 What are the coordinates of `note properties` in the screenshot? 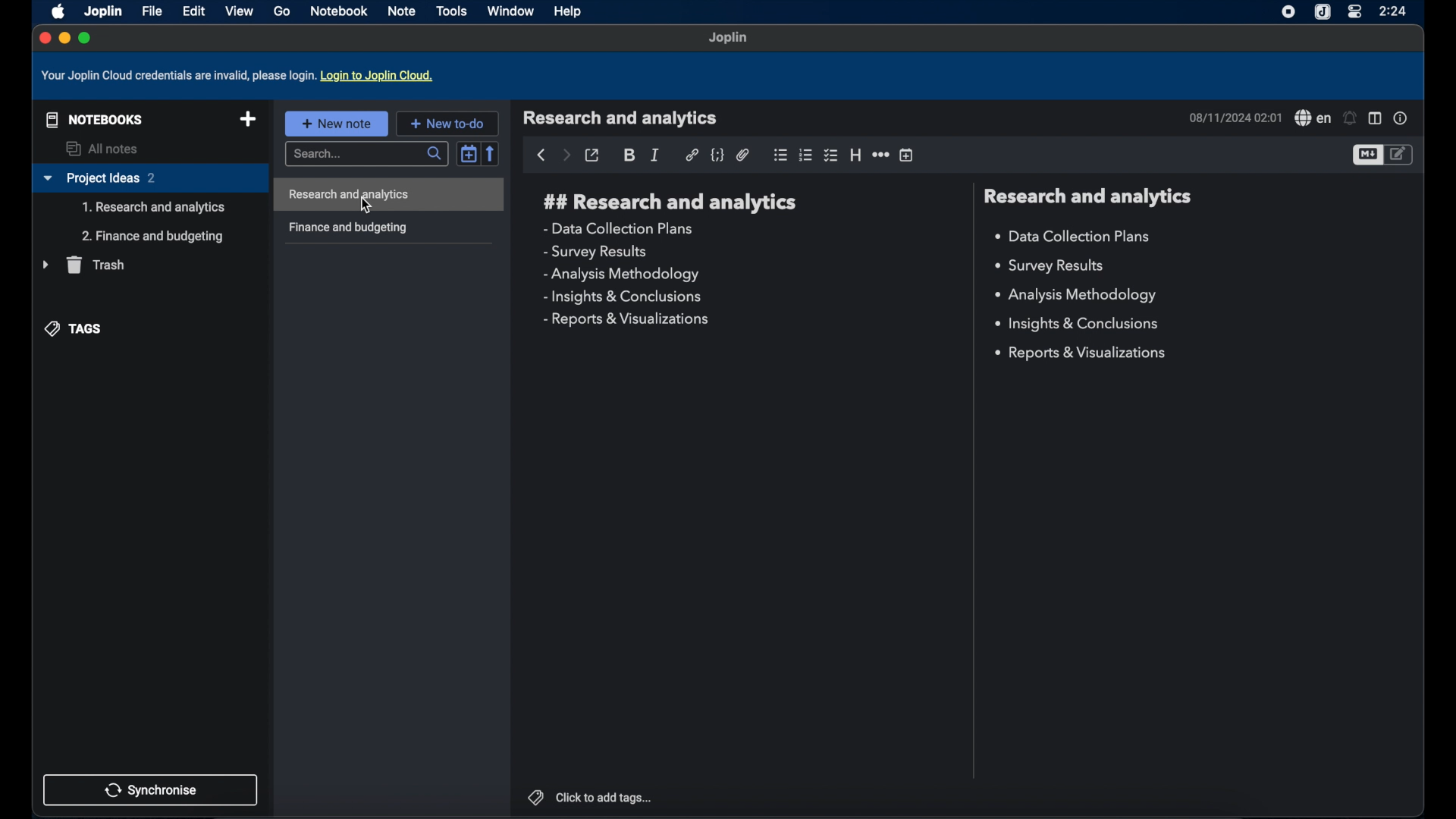 It's located at (1401, 118).